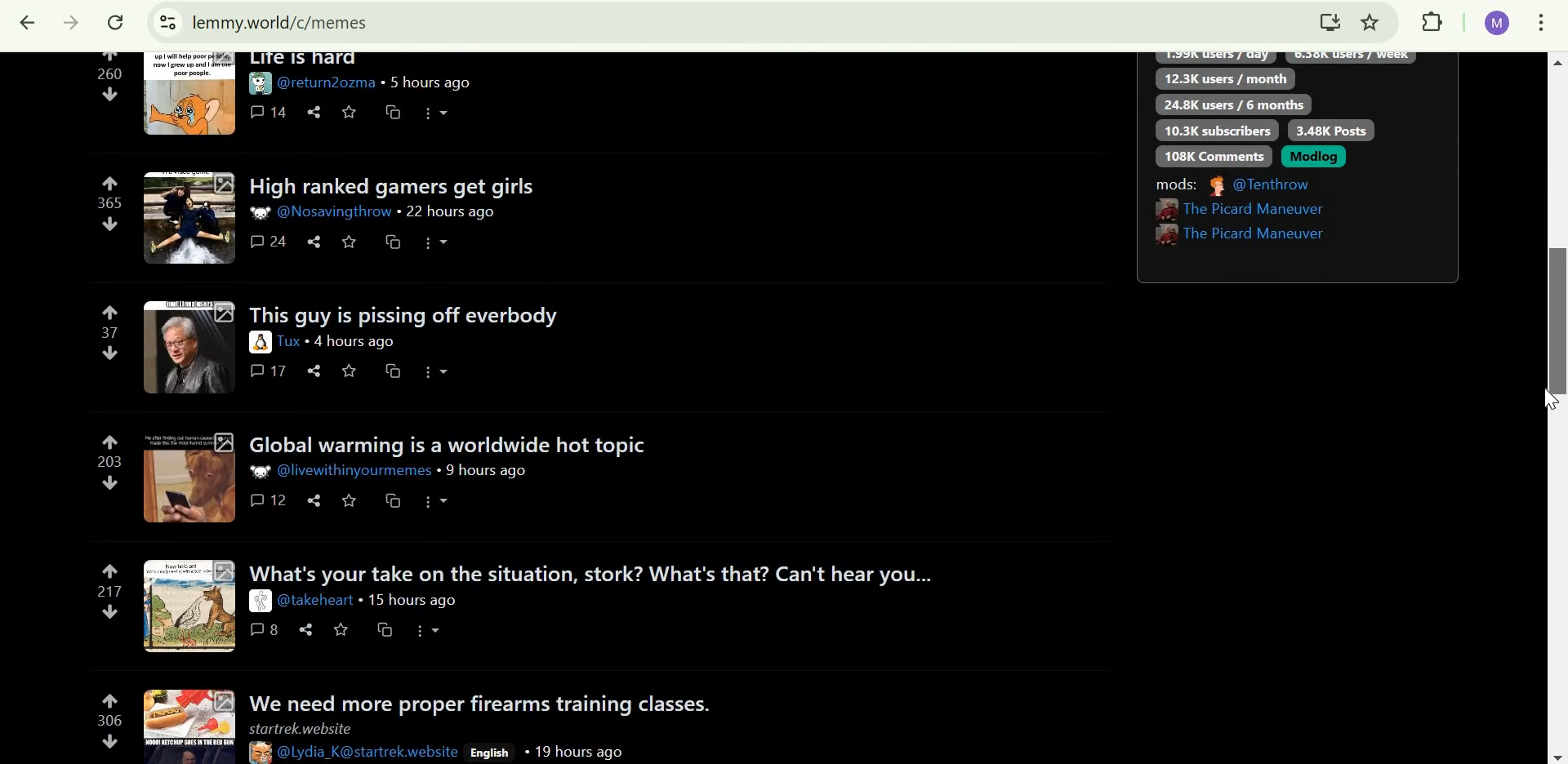 The image size is (1568, 764). I want to click on startrek.website, so click(299, 729).